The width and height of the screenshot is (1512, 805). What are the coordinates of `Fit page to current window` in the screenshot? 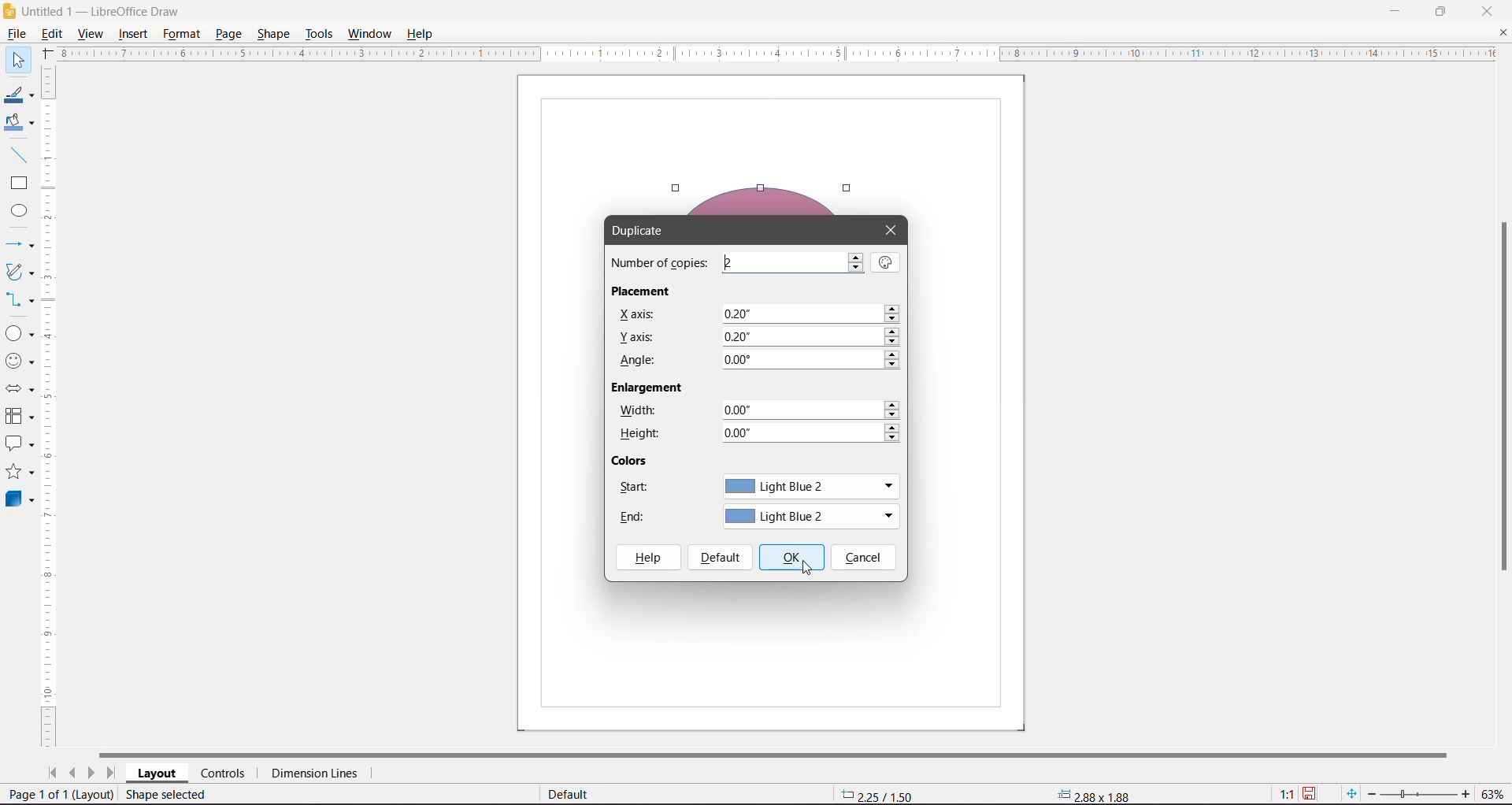 It's located at (1353, 794).